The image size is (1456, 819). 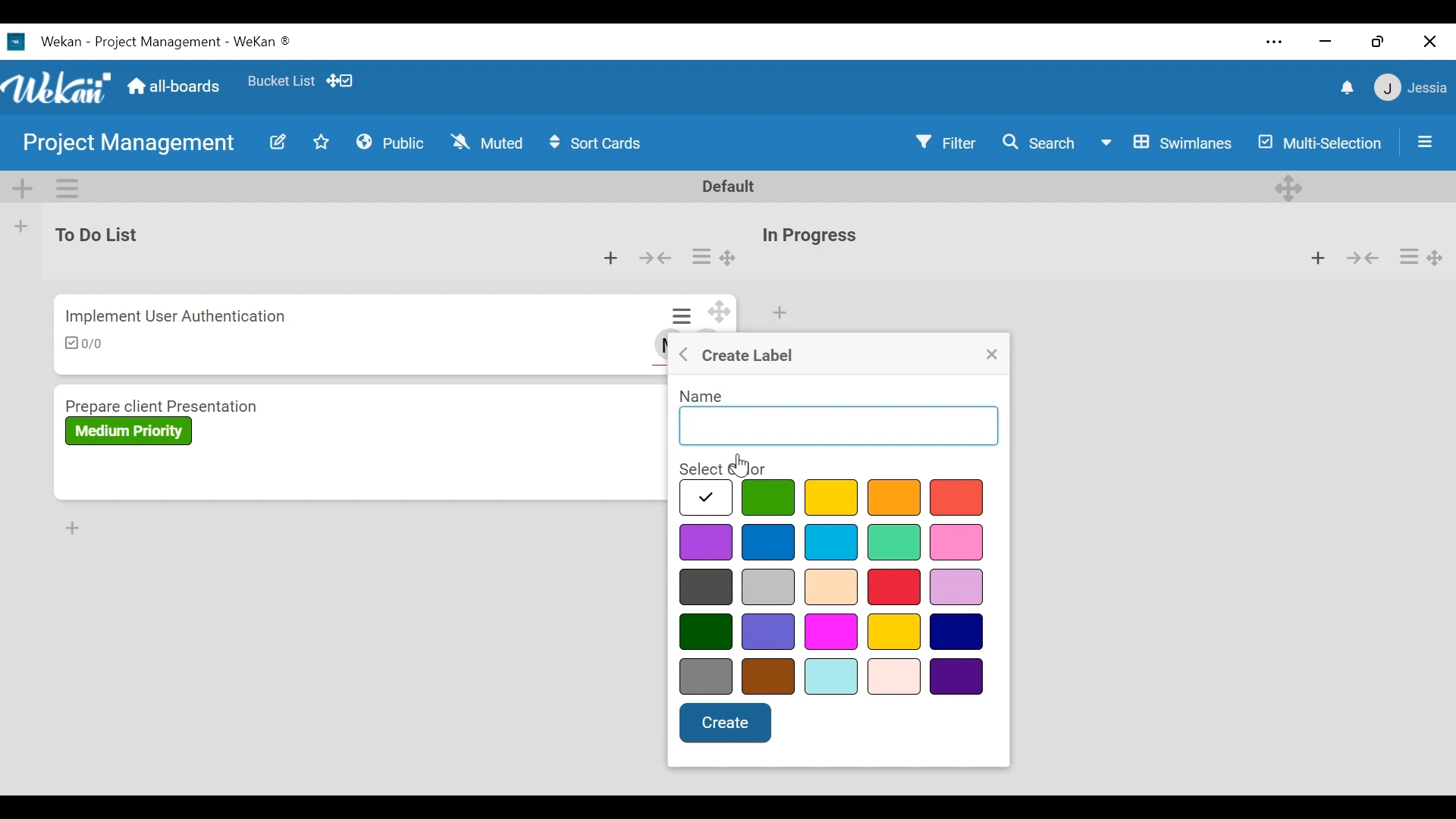 I want to click on Search, so click(x=1039, y=142).